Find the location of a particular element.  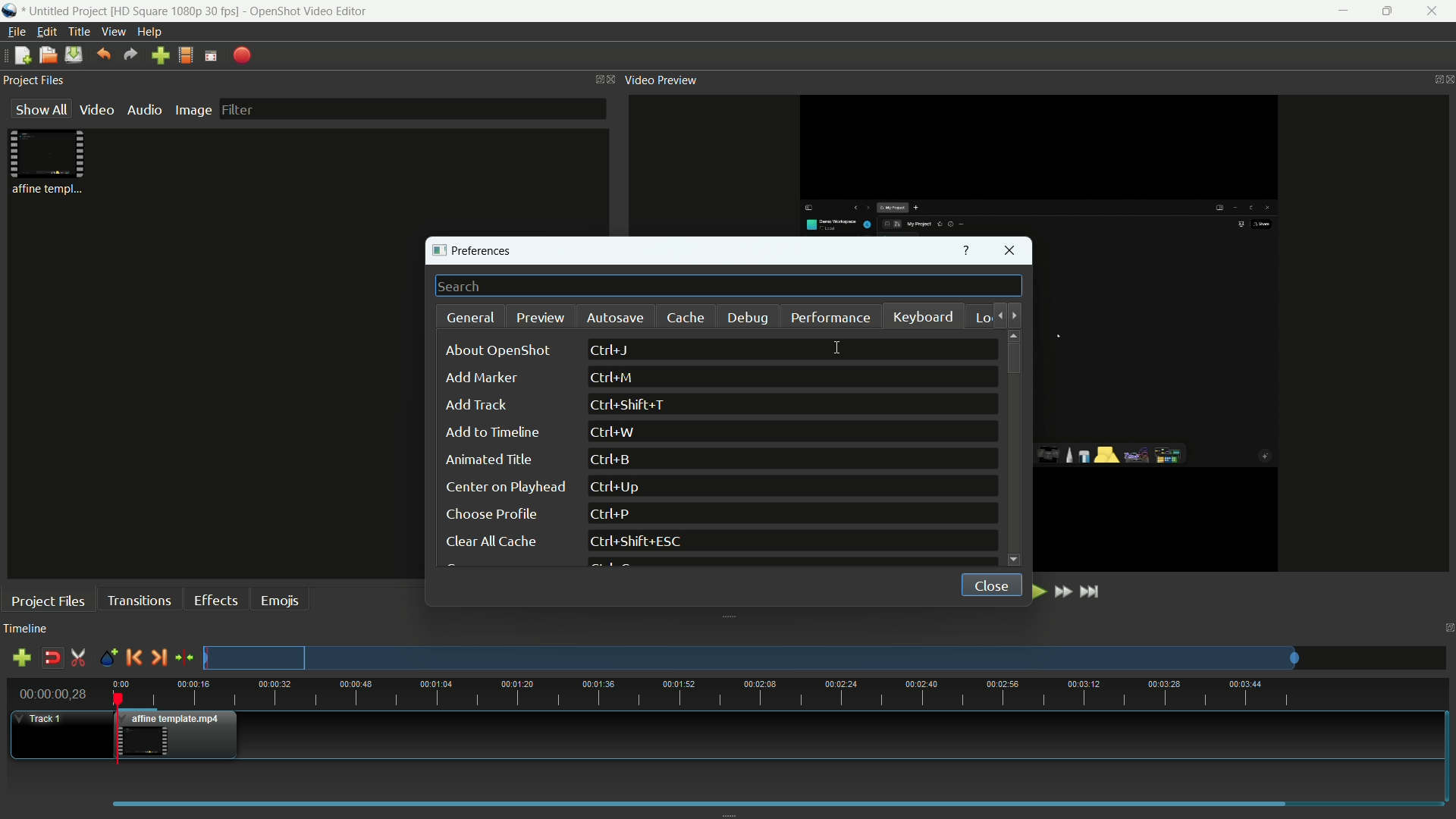

debug is located at coordinates (750, 318).